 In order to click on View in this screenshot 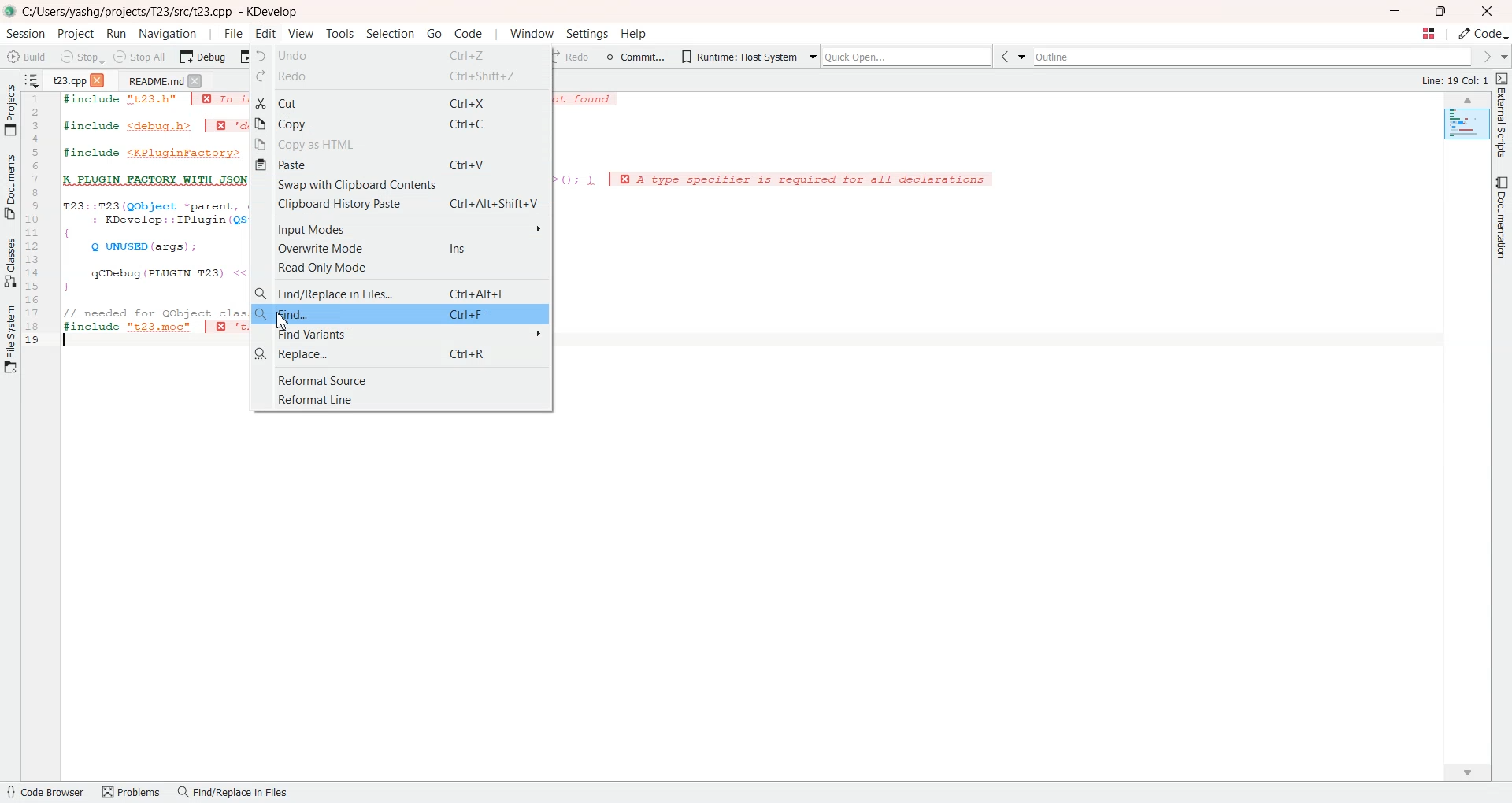, I will do `click(301, 33)`.